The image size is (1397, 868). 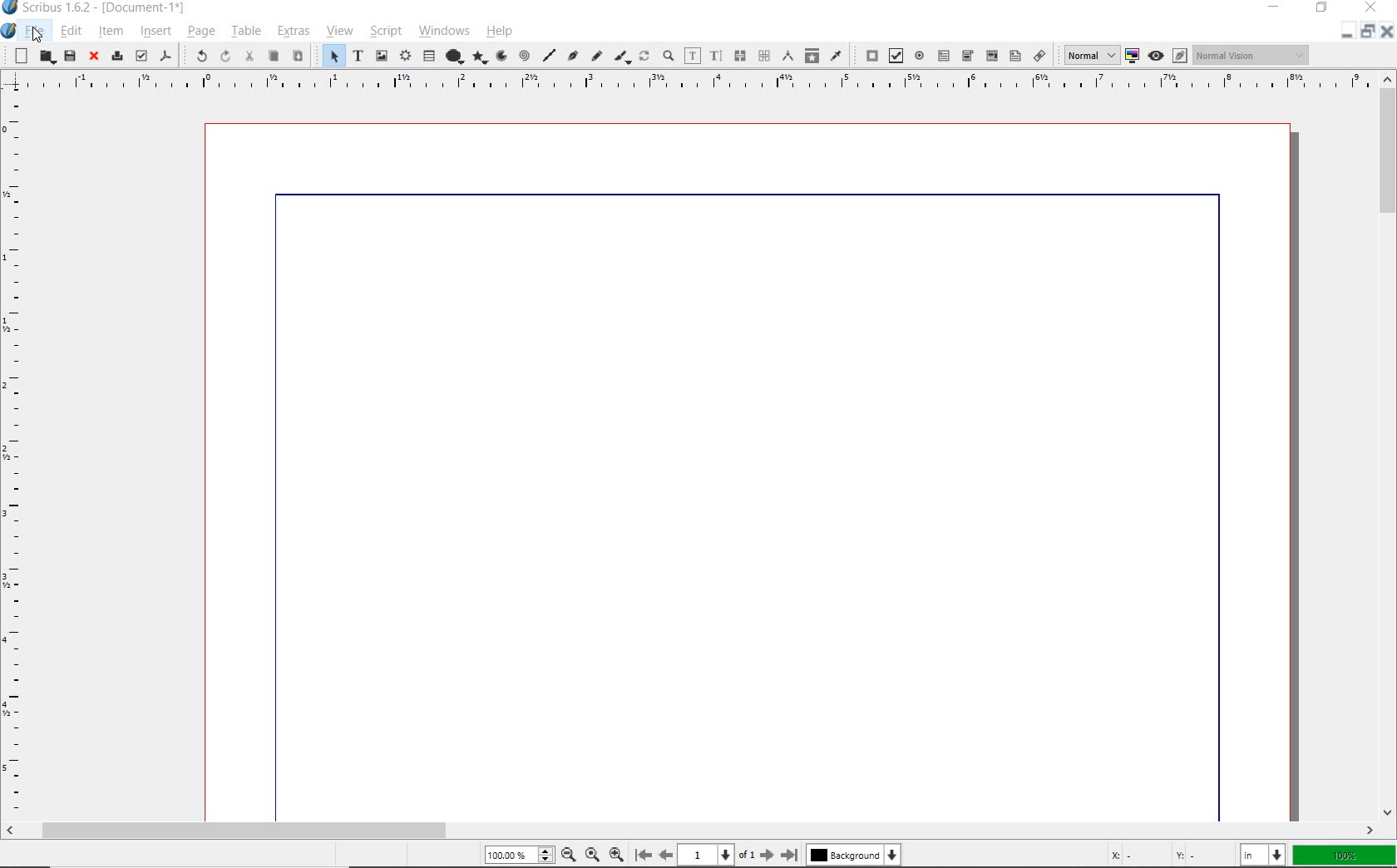 I want to click on paste, so click(x=297, y=55).